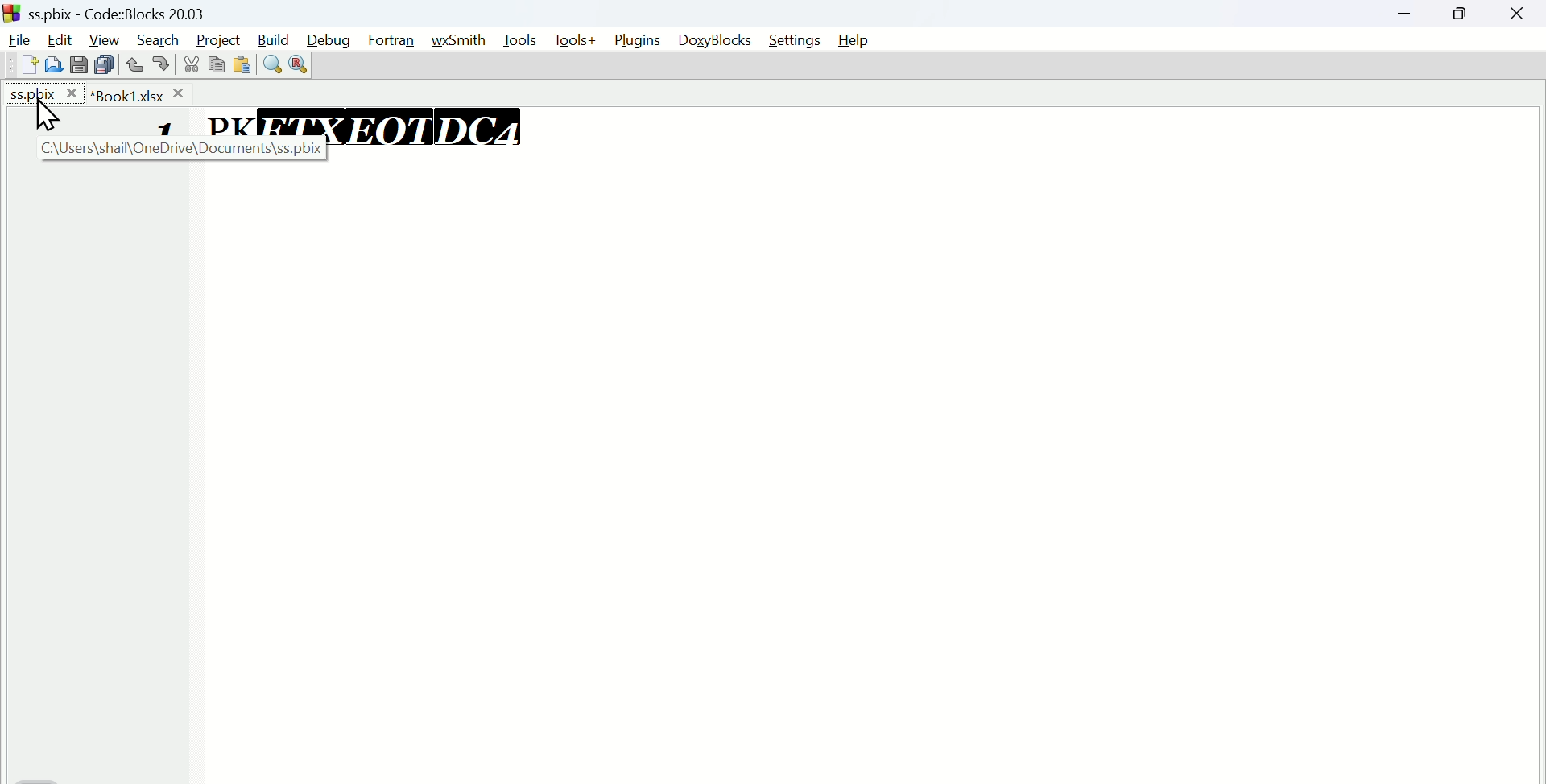  What do you see at coordinates (175, 148) in the screenshot?
I see `c:\users\shail\onedrive\documents\ss.pbix` at bounding box center [175, 148].